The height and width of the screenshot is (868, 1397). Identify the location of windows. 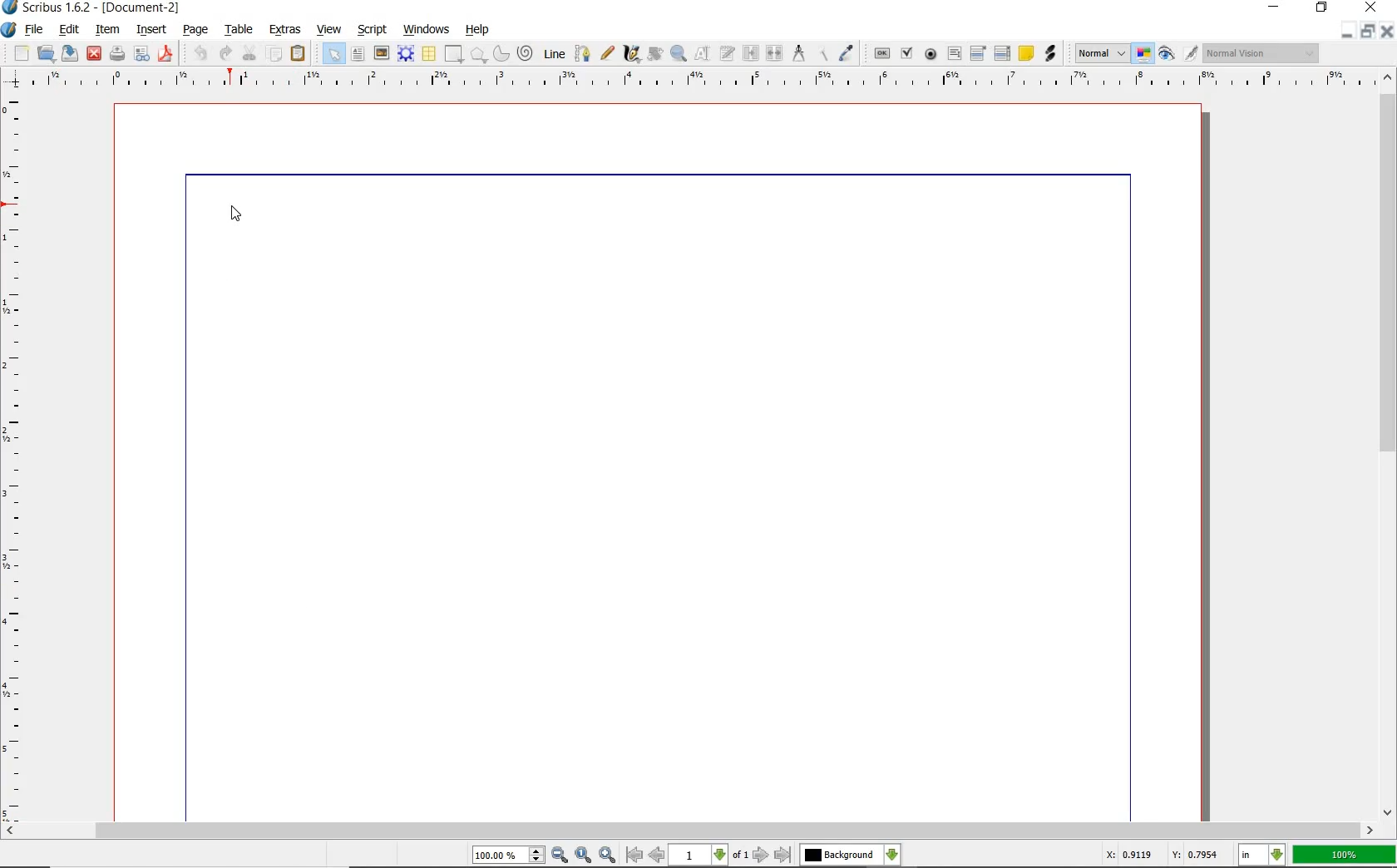
(428, 31).